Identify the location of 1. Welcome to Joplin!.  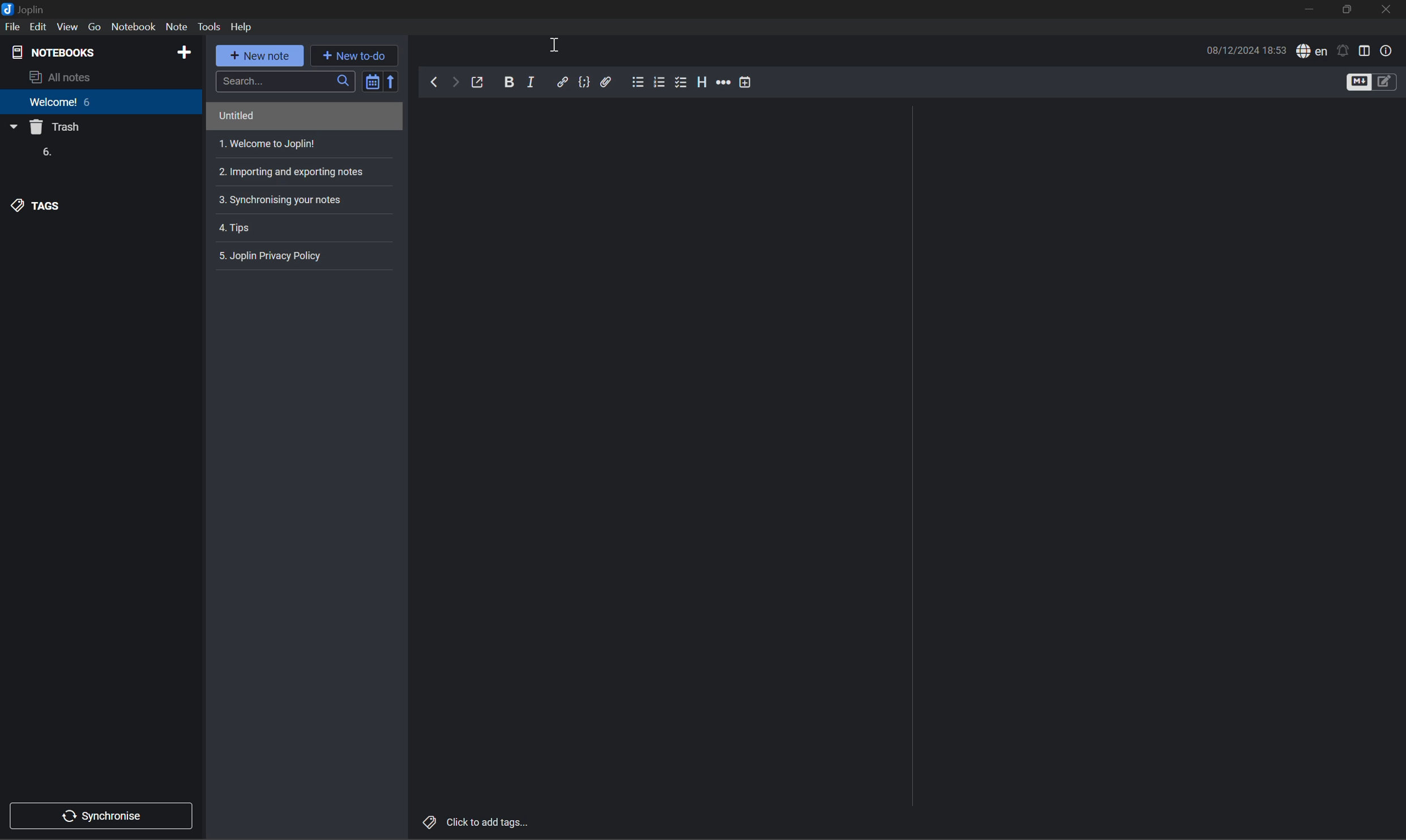
(267, 144).